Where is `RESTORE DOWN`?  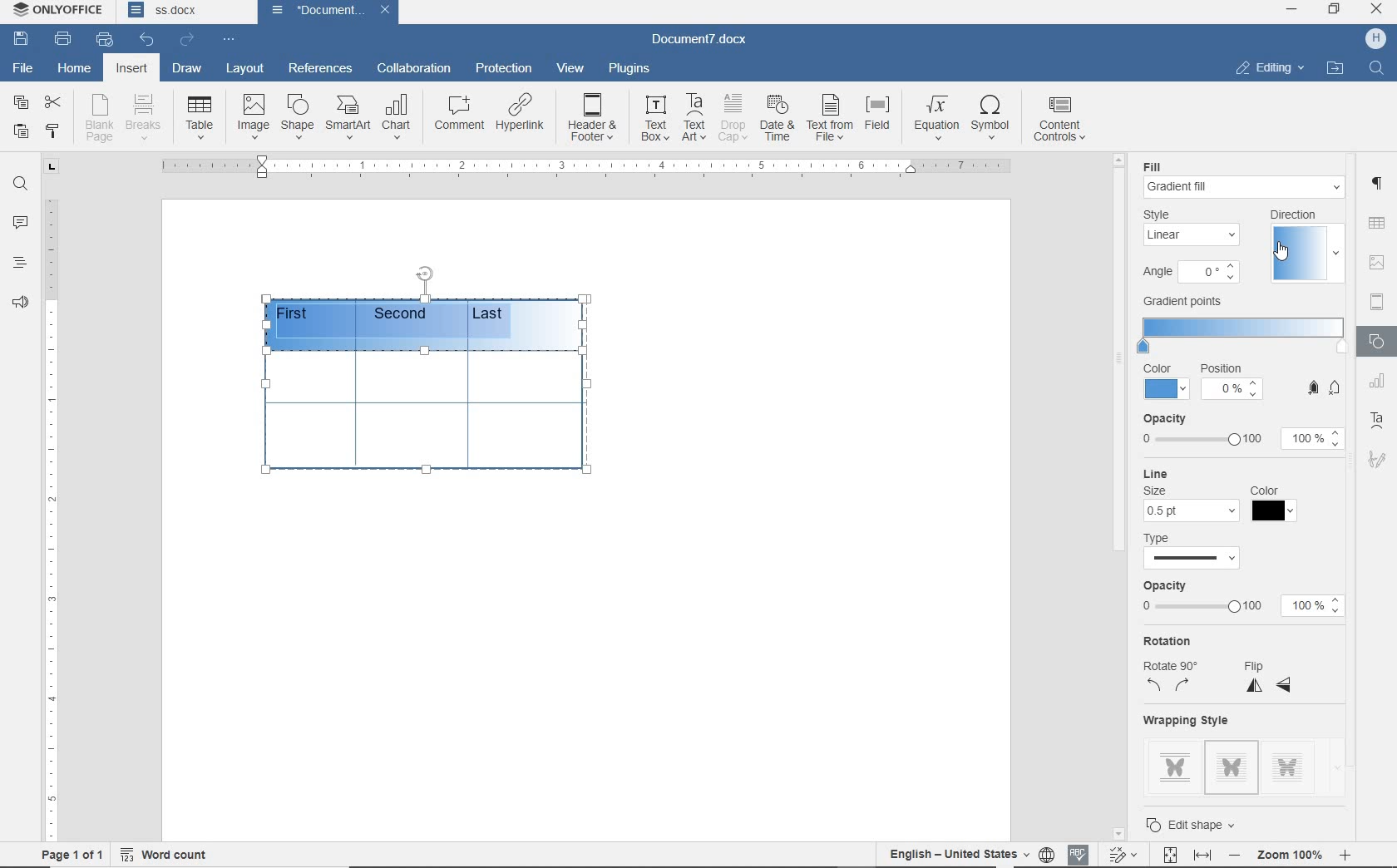 RESTORE DOWN is located at coordinates (1335, 10).